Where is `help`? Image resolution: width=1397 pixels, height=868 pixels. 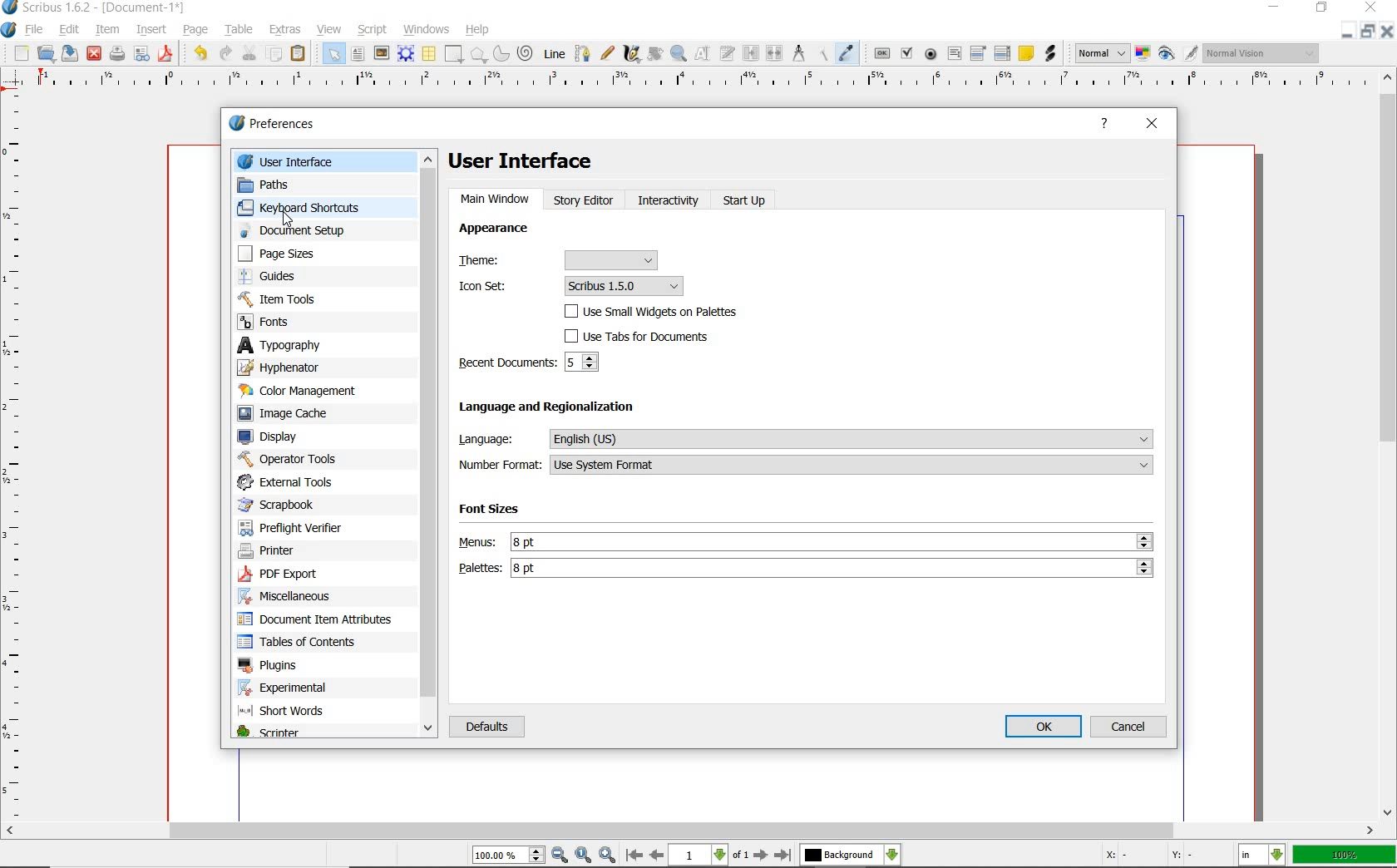 help is located at coordinates (1104, 124).